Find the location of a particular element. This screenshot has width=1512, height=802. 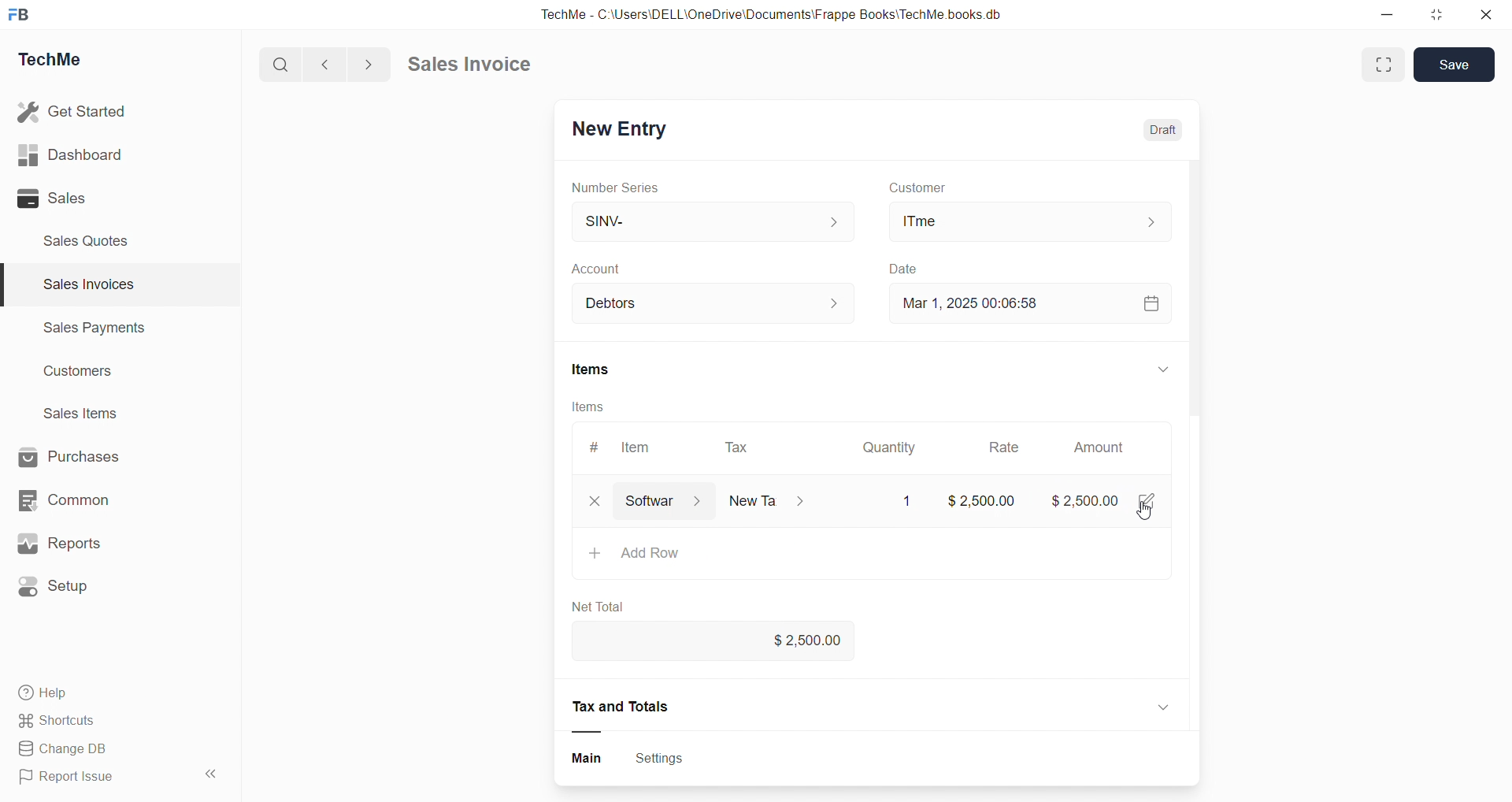

EB Common is located at coordinates (80, 499).